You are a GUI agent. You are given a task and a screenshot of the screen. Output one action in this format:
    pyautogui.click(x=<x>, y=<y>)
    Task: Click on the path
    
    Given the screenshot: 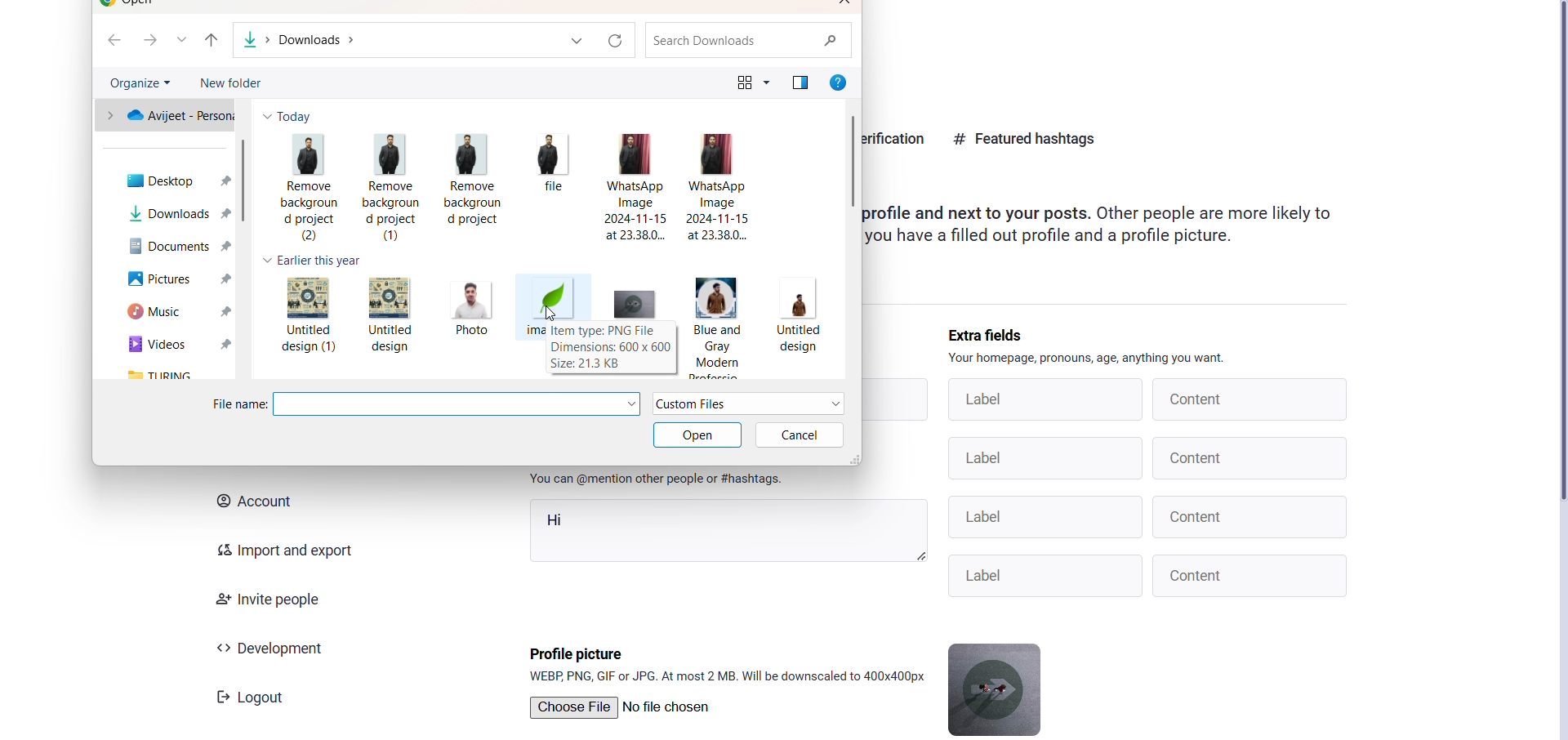 What is the action you would take?
    pyautogui.click(x=312, y=39)
    